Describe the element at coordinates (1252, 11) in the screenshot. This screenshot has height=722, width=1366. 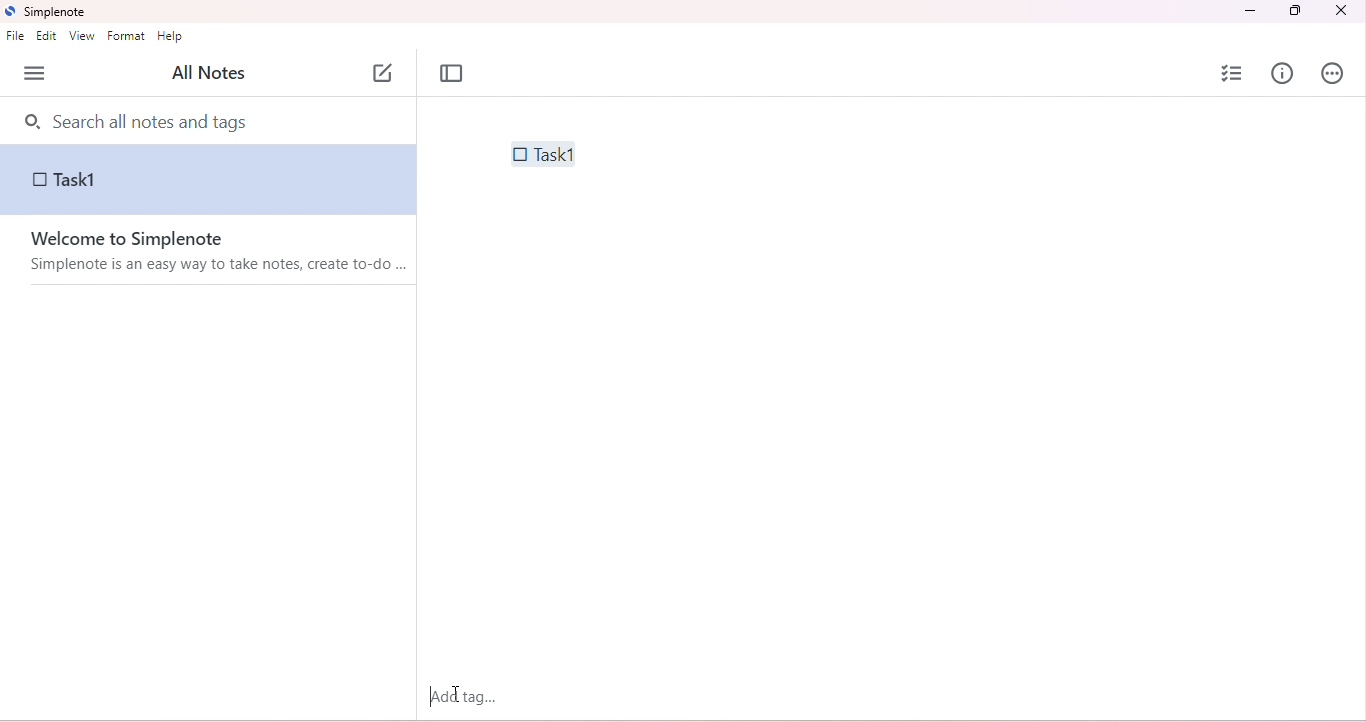
I see `minimize` at that location.